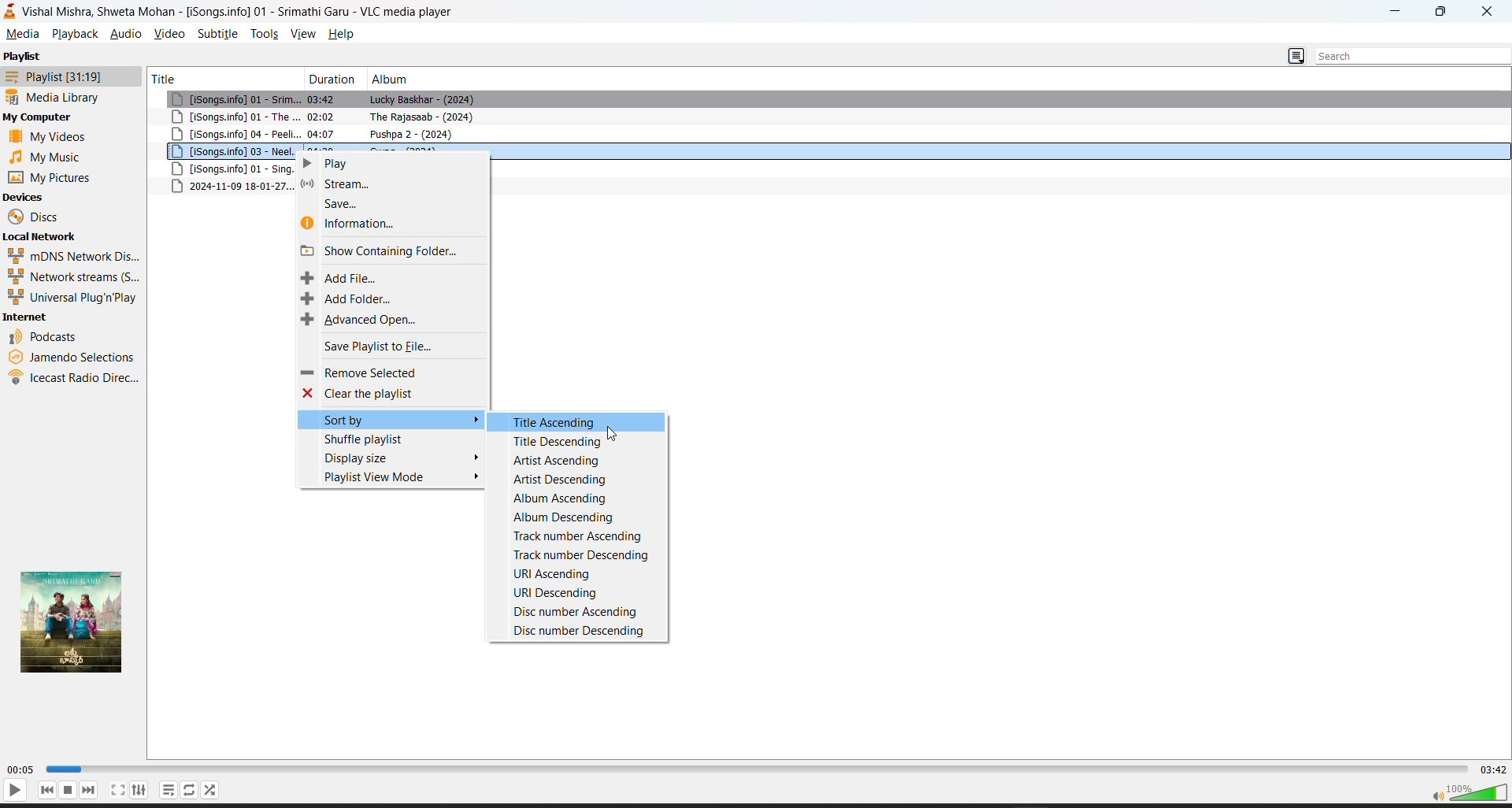 The width and height of the screenshot is (1512, 808). I want to click on change playlist view, so click(1297, 56).